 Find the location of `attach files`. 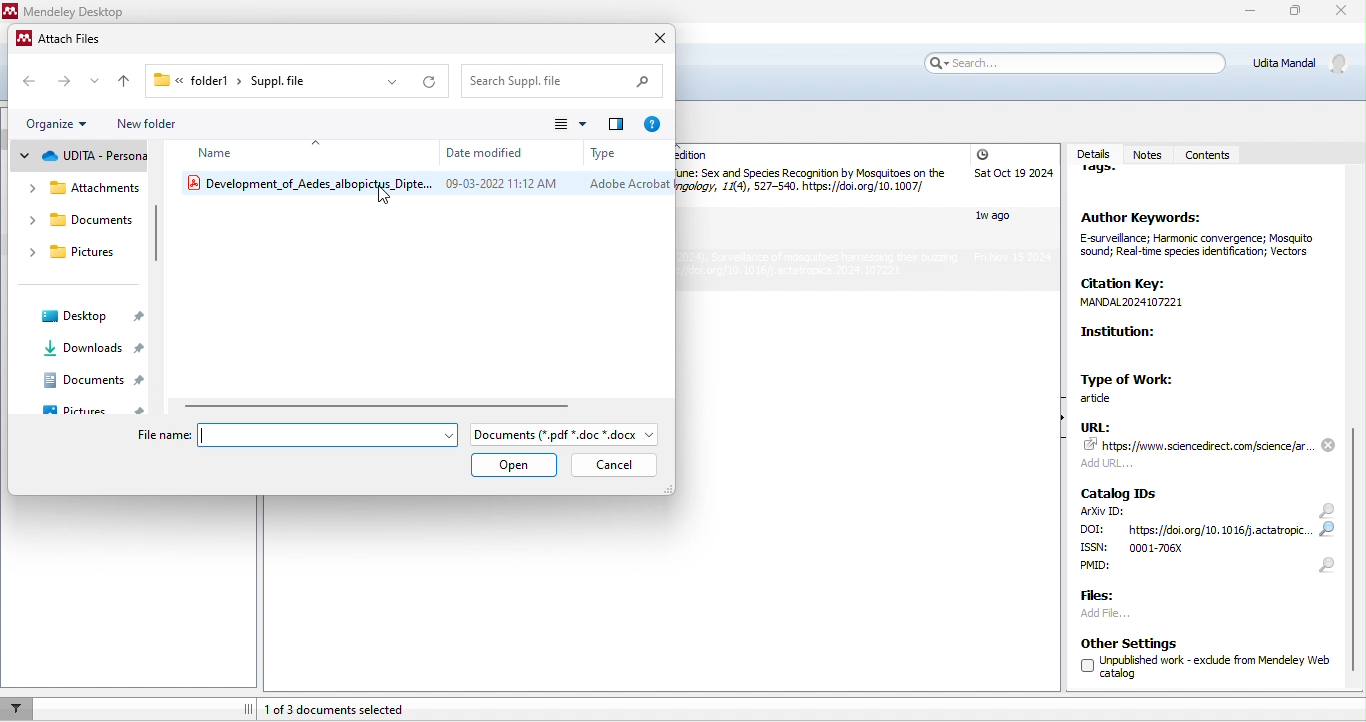

attach files is located at coordinates (67, 40).